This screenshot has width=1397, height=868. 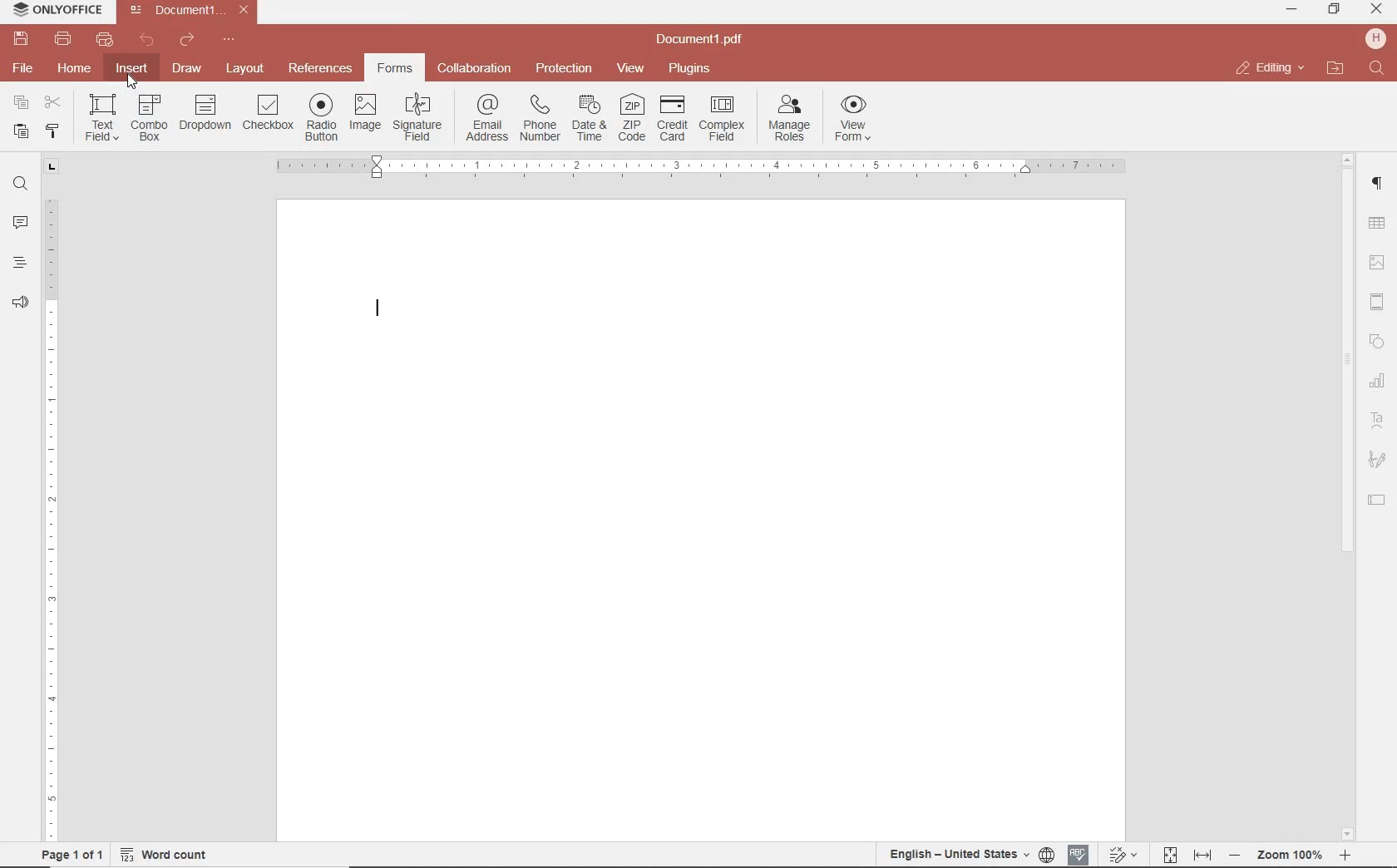 What do you see at coordinates (1378, 303) in the screenshot?
I see `HEADERS & FOOTERS` at bounding box center [1378, 303].